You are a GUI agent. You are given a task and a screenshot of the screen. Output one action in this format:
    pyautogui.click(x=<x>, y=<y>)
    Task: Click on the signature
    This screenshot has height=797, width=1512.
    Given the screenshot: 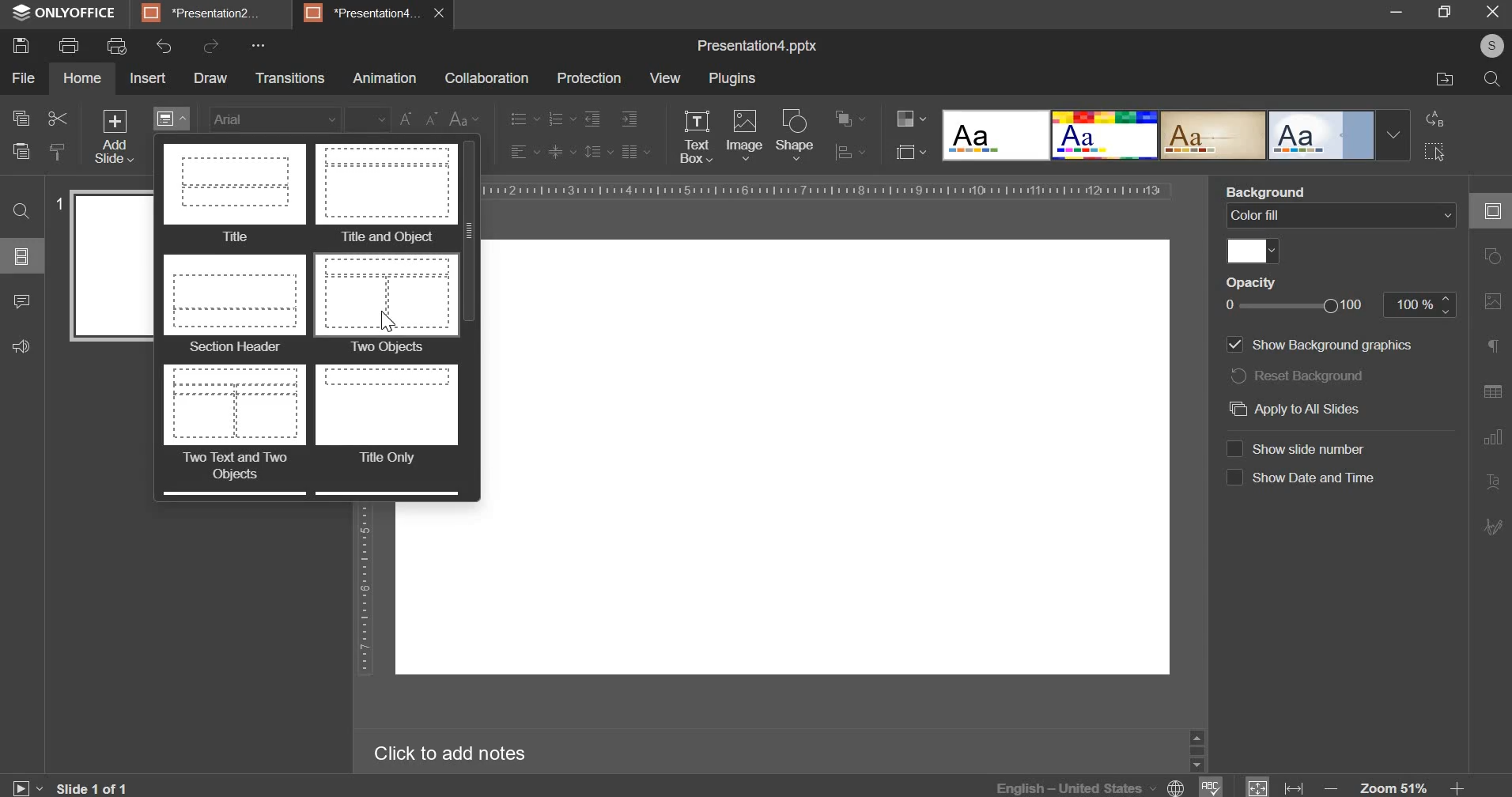 What is the action you would take?
    pyautogui.click(x=1495, y=526)
    